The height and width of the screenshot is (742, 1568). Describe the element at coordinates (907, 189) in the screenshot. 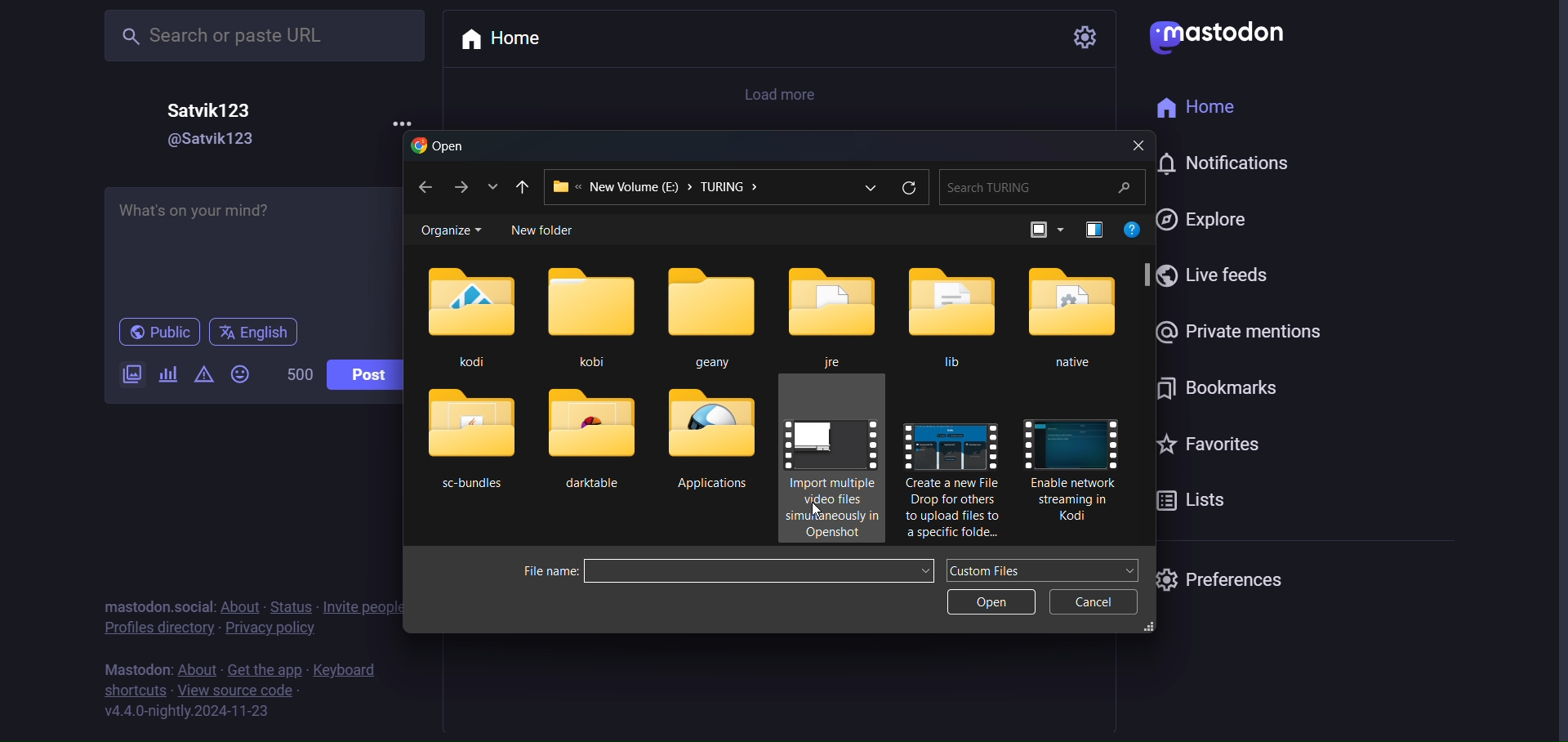

I see `refresh` at that location.